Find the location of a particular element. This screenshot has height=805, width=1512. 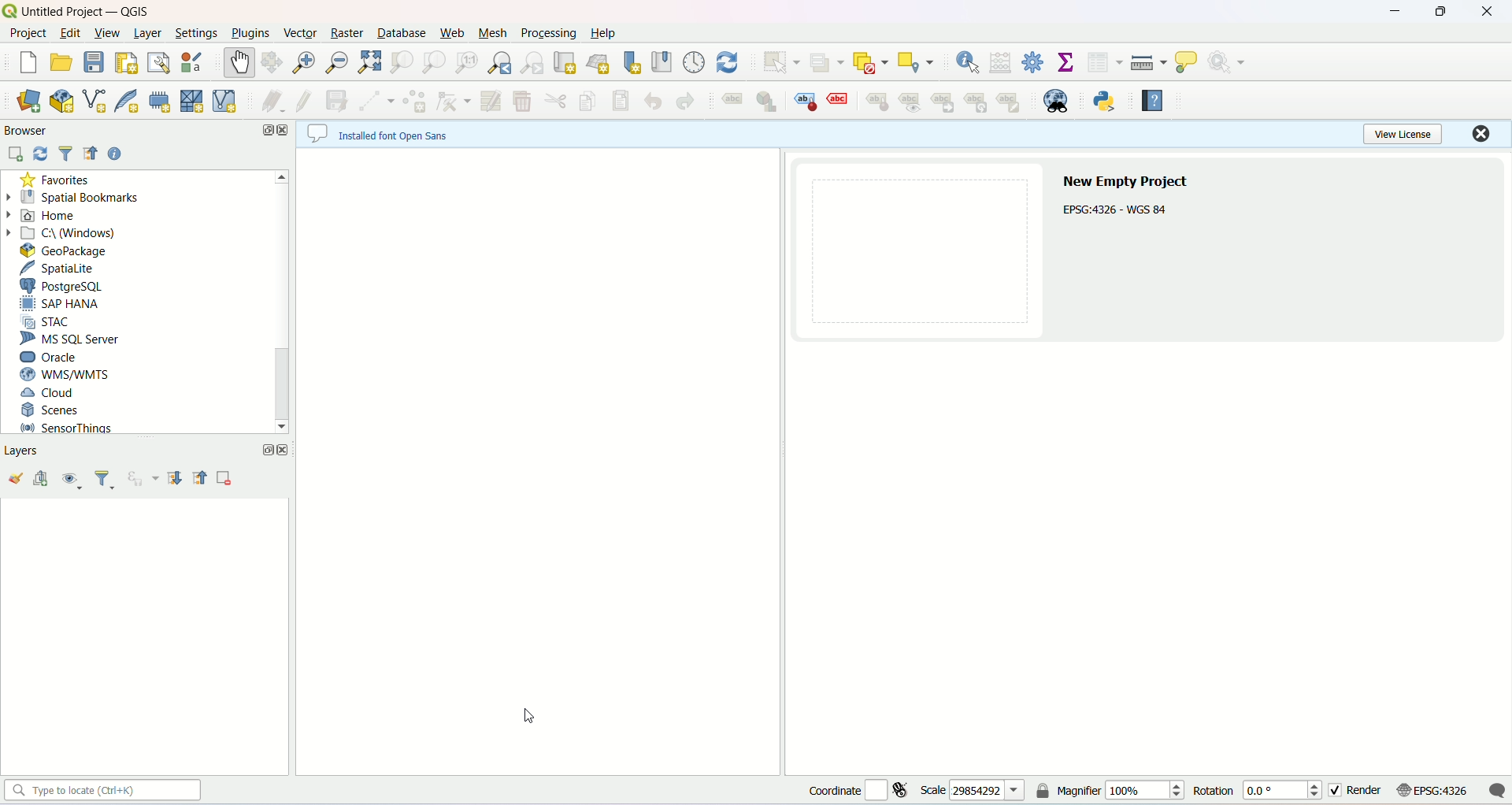

sensor things is located at coordinates (67, 428).